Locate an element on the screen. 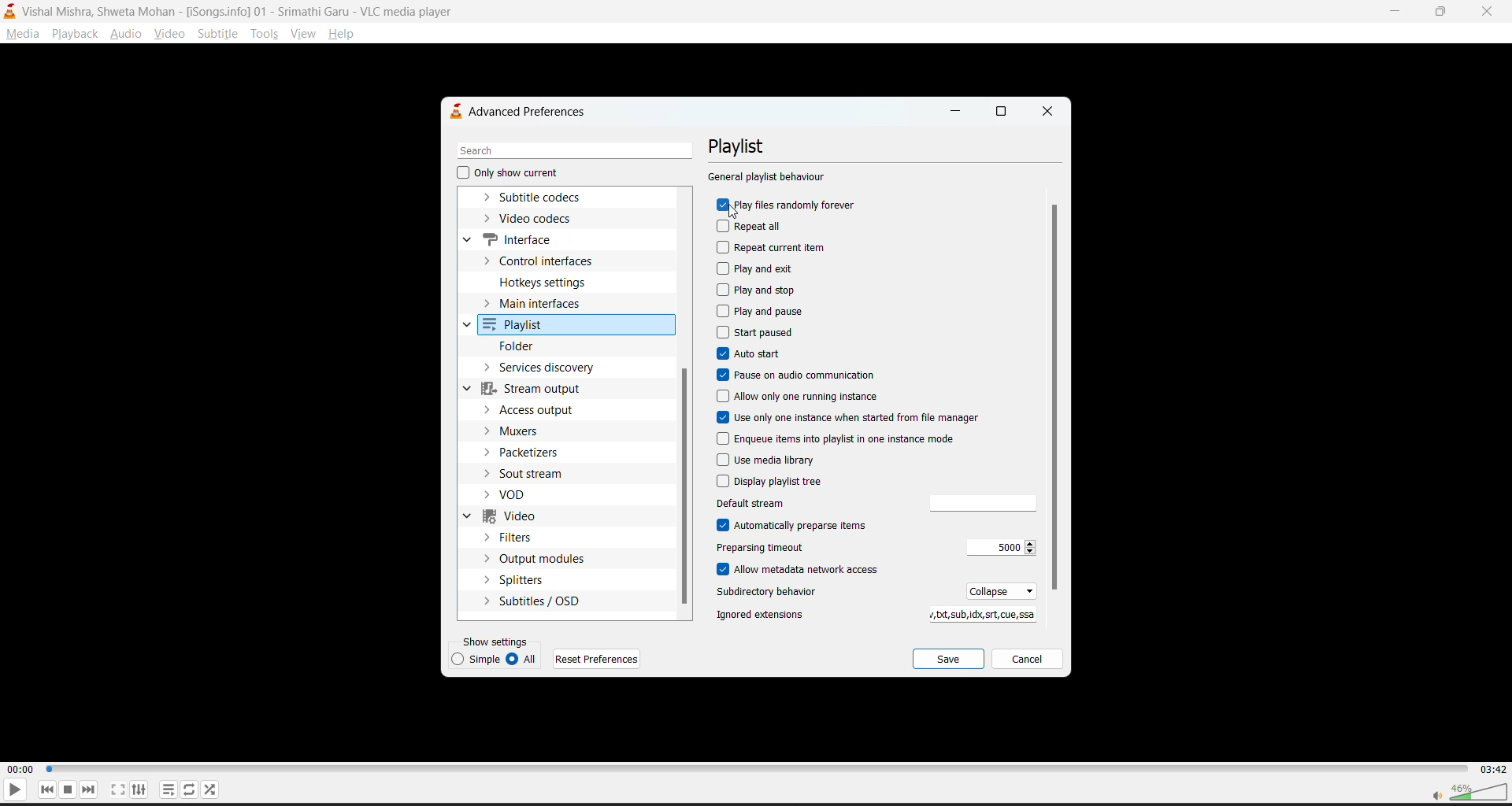 This screenshot has width=1512, height=806. play and stop is located at coordinates (756, 290).